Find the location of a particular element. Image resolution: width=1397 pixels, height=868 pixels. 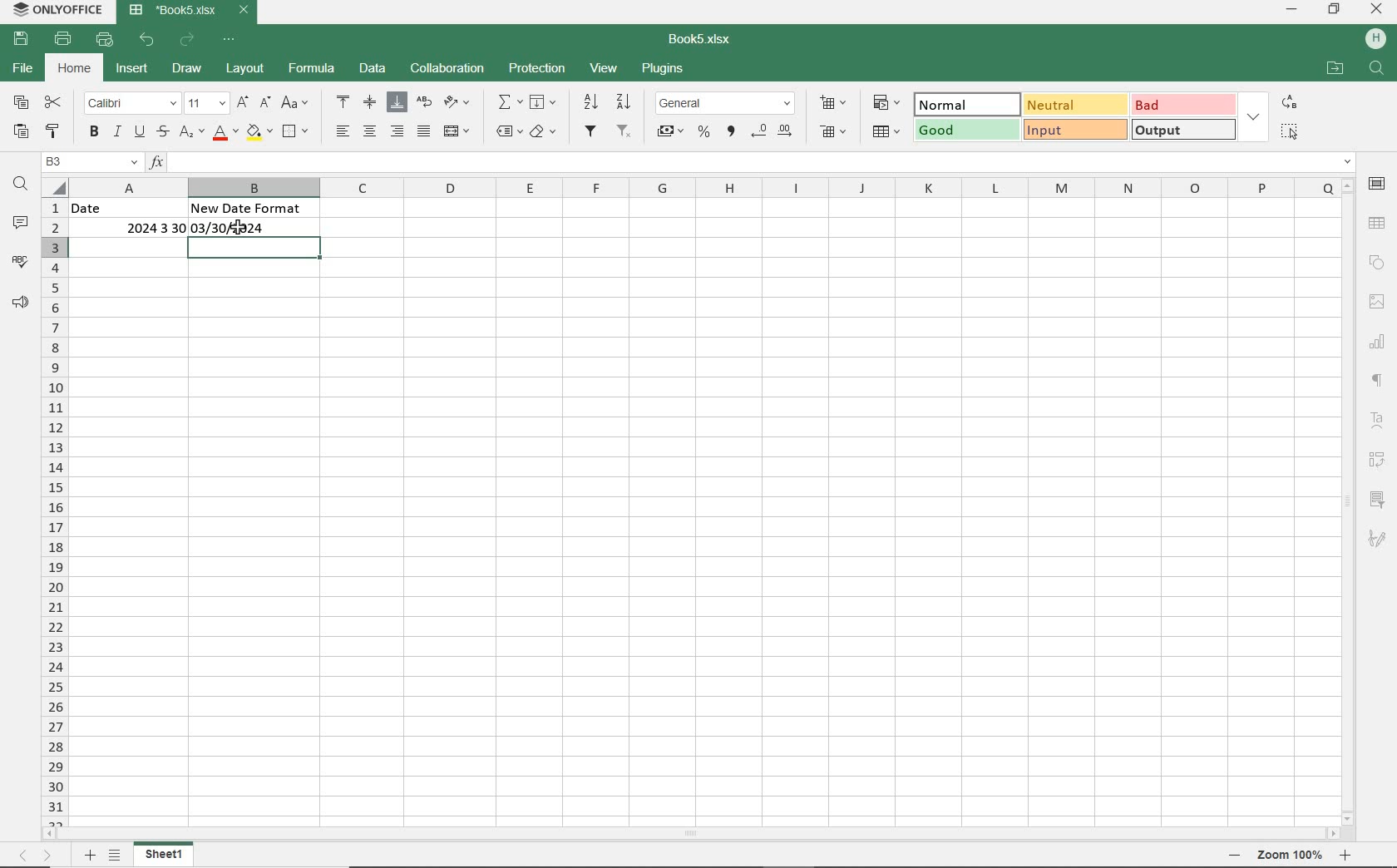

WRAP TEXT is located at coordinates (424, 102).